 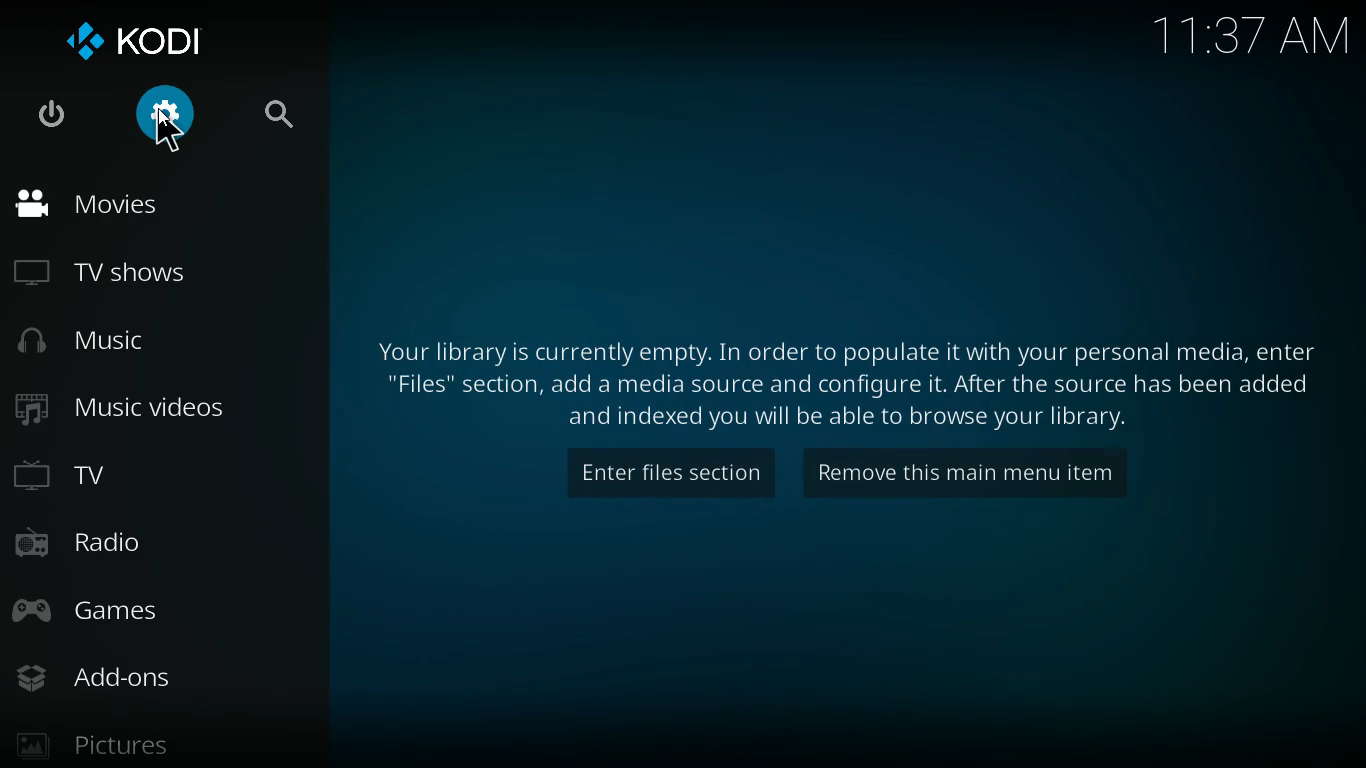 I want to click on remove this main menu item, so click(x=960, y=473).